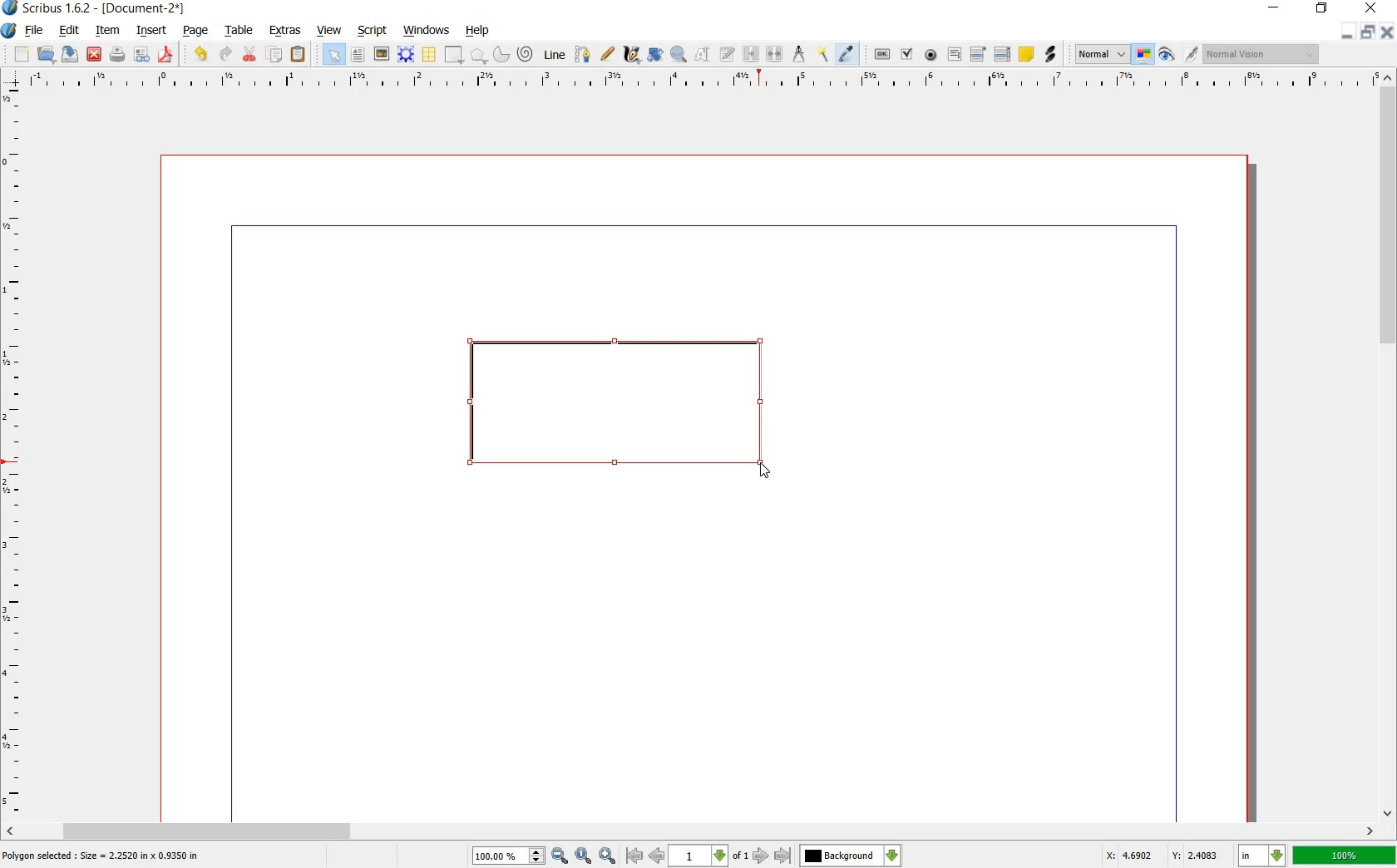  What do you see at coordinates (1272, 8) in the screenshot?
I see `MINIMIZE` at bounding box center [1272, 8].